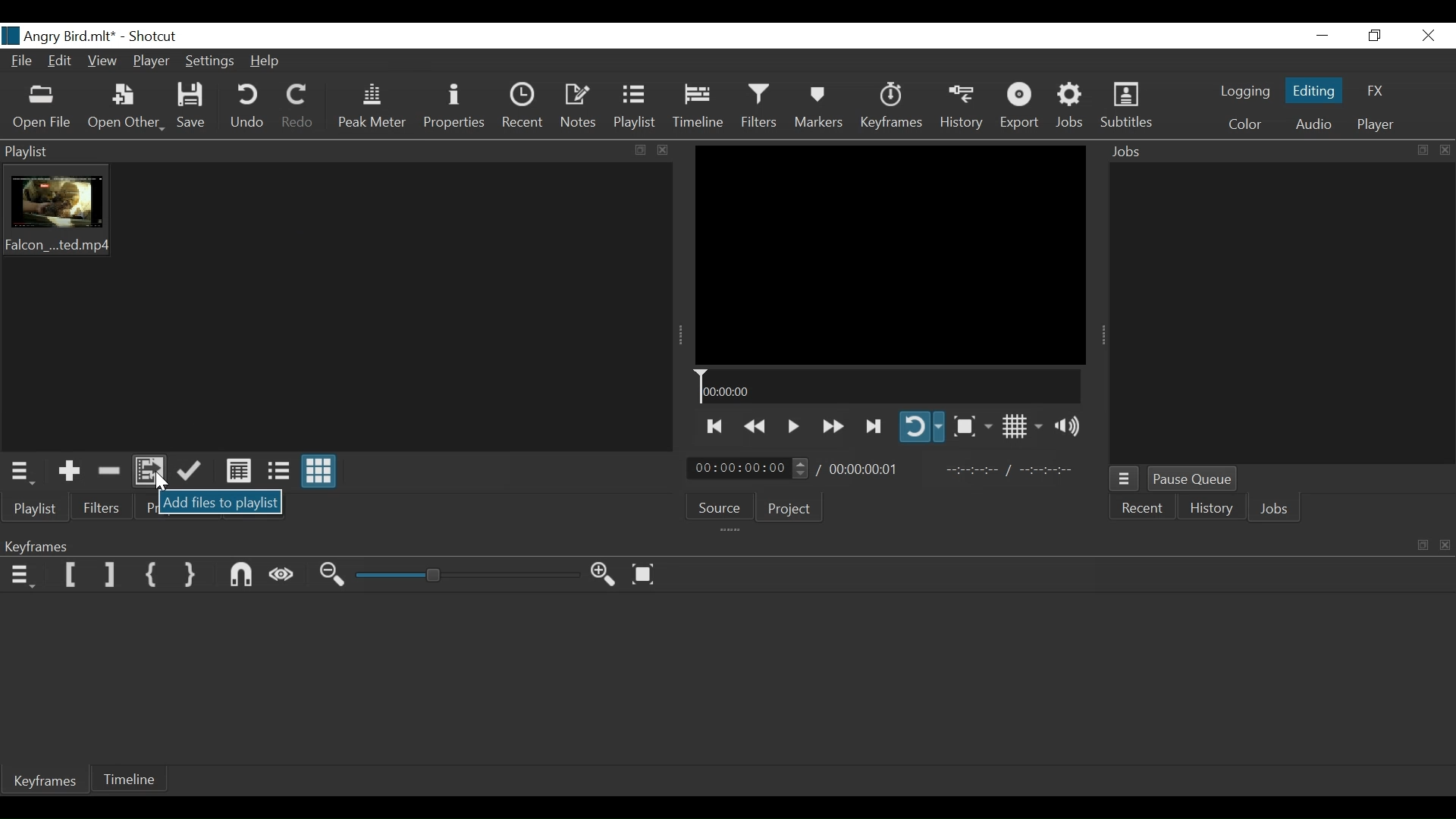 The width and height of the screenshot is (1456, 819). Describe the element at coordinates (1125, 479) in the screenshot. I see `Jobs menu` at that location.